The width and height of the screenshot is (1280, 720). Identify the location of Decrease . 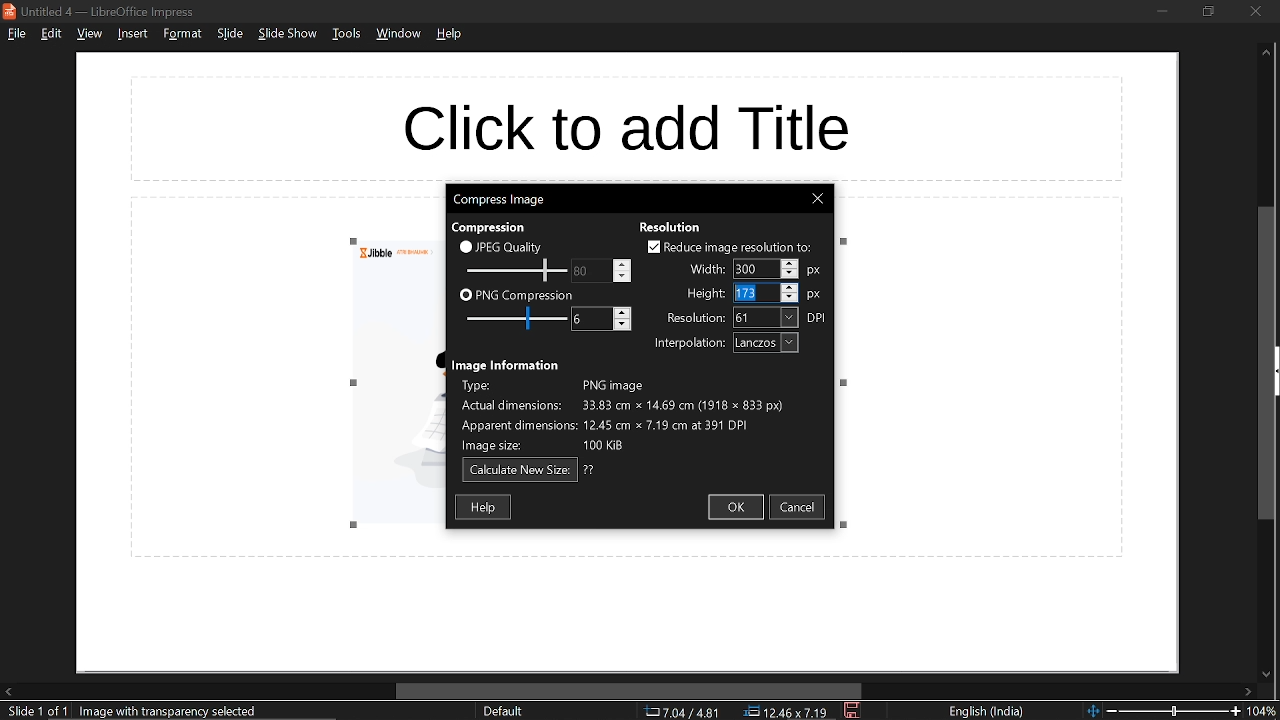
(790, 275).